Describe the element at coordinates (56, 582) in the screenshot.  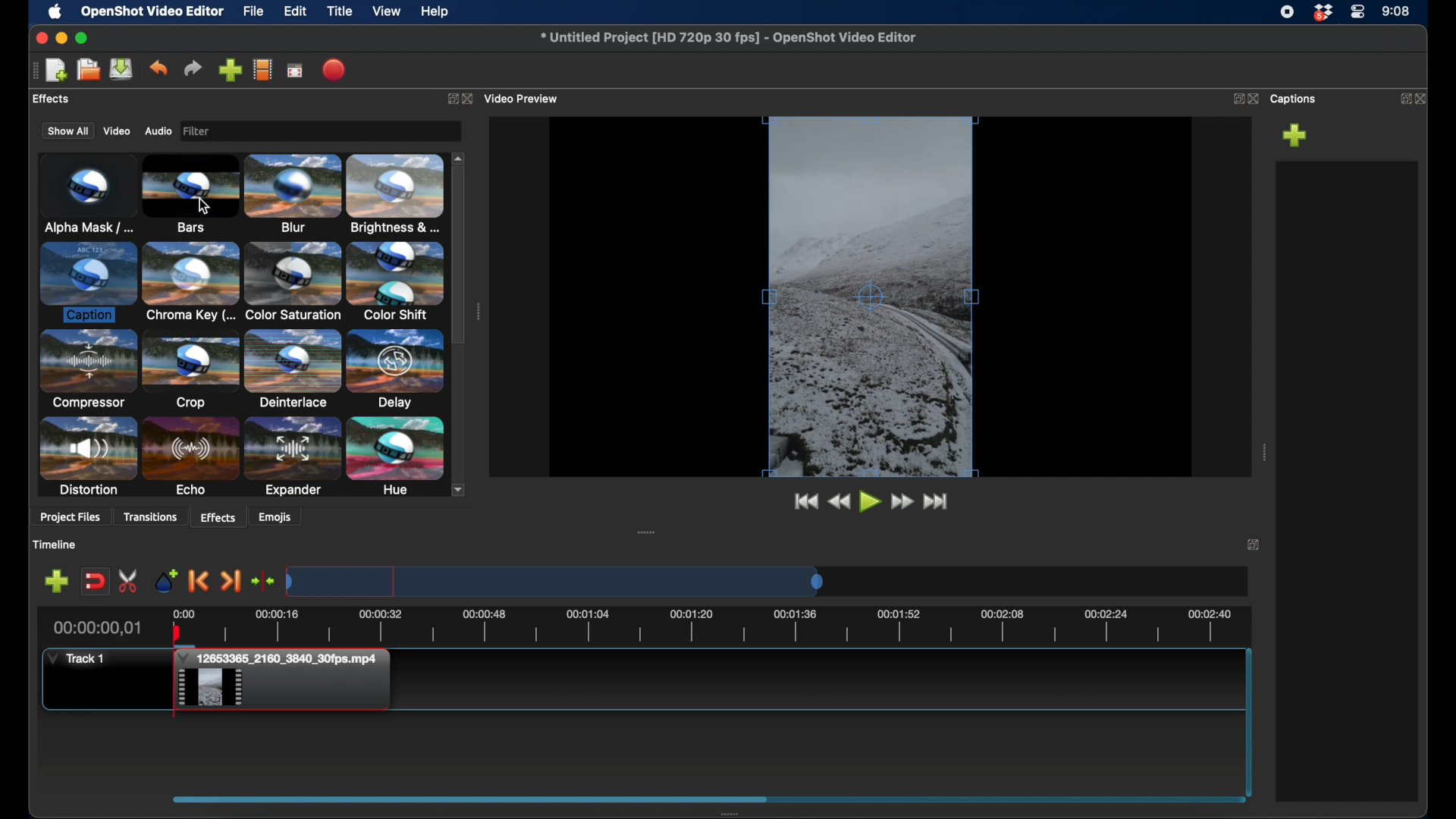
I see `add marker` at that location.